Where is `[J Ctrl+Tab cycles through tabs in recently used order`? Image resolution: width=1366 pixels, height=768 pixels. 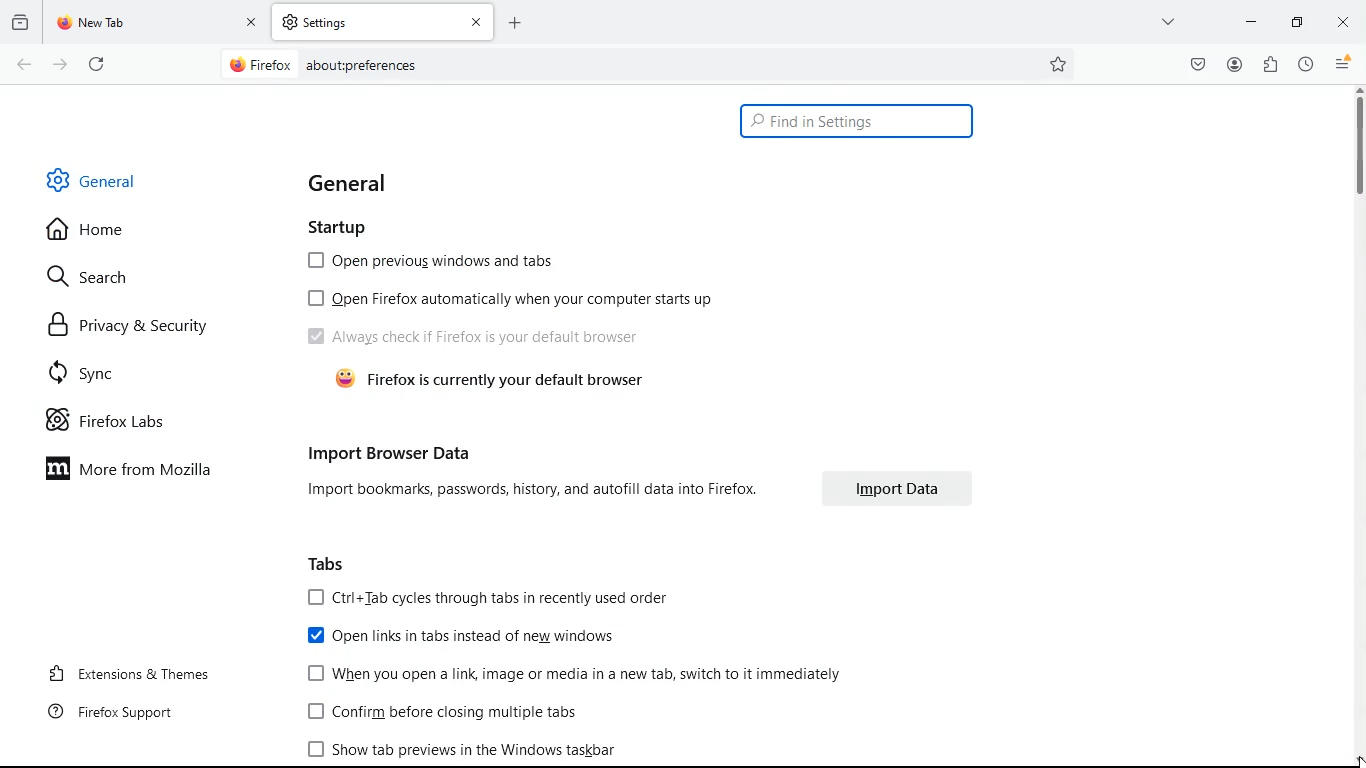 [J Ctrl+Tab cycles through tabs in recently used order is located at coordinates (484, 597).